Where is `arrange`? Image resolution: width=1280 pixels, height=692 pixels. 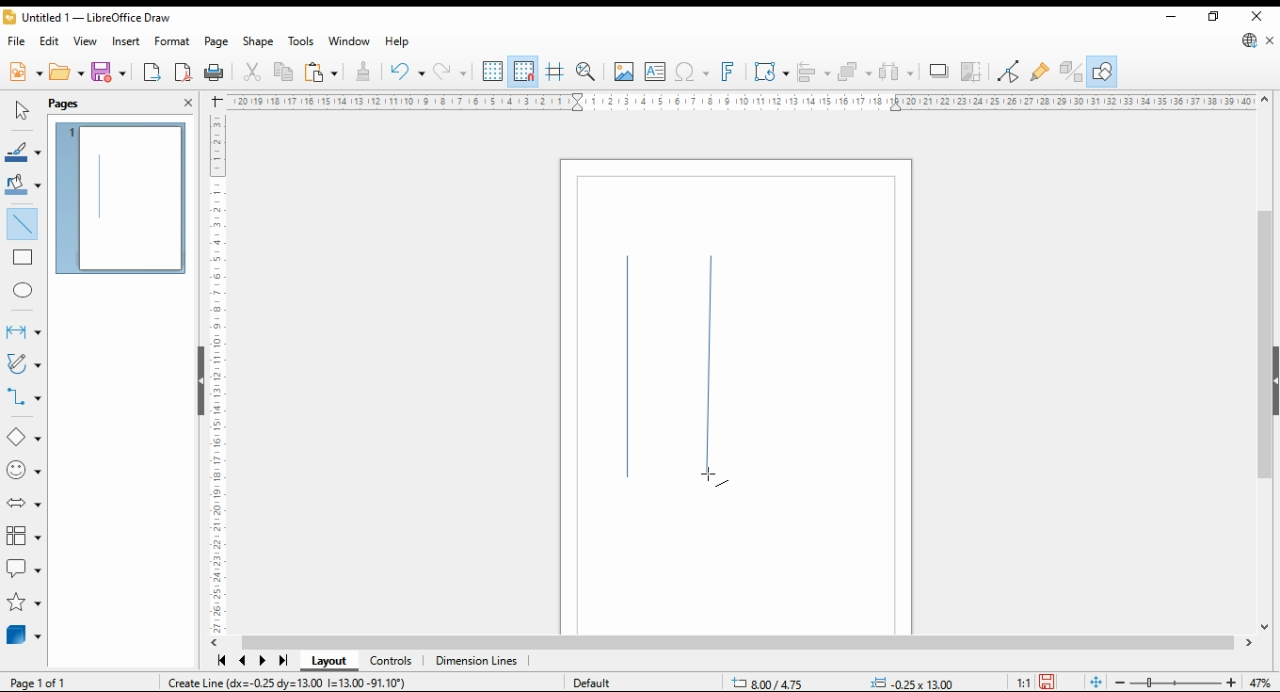 arrange is located at coordinates (855, 71).